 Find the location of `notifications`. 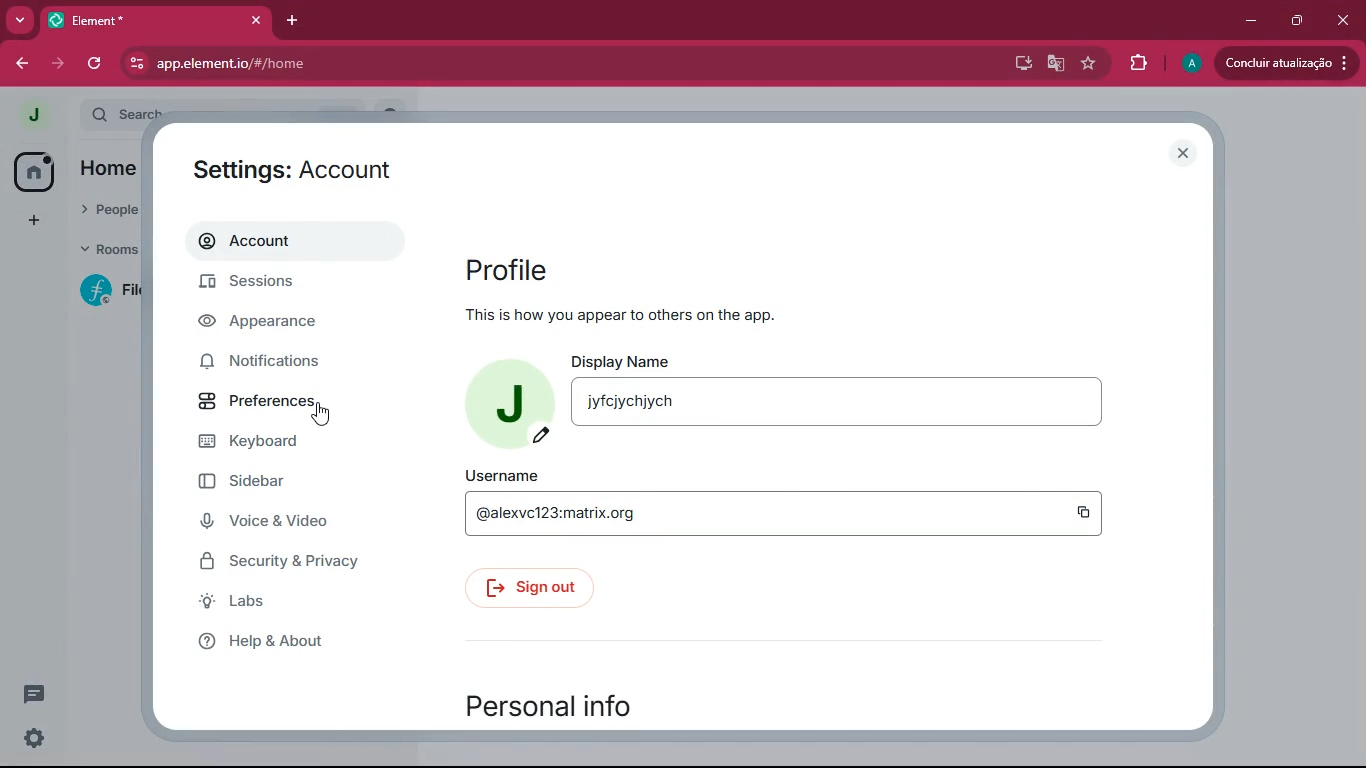

notifications is located at coordinates (271, 364).